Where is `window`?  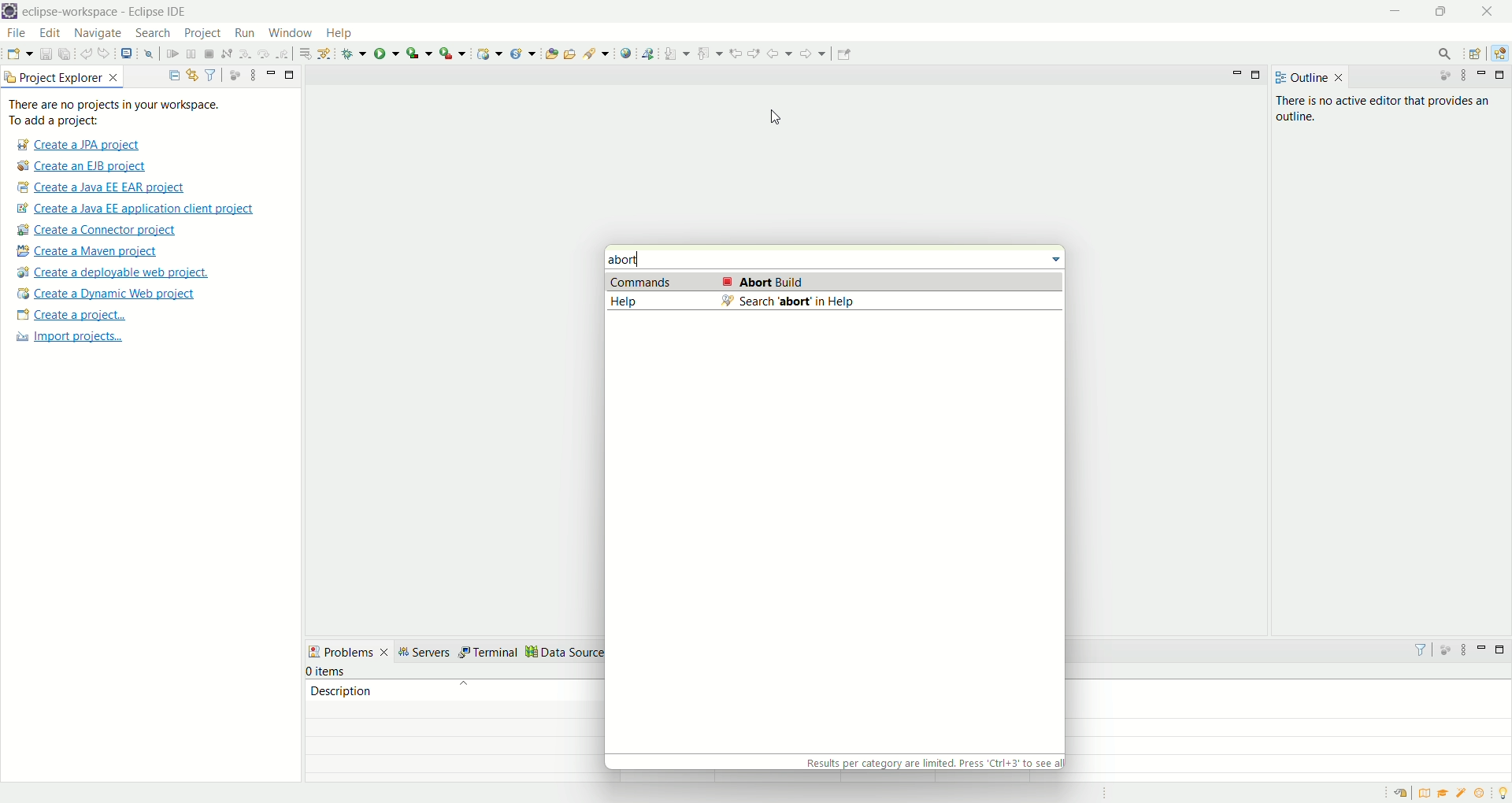
window is located at coordinates (289, 31).